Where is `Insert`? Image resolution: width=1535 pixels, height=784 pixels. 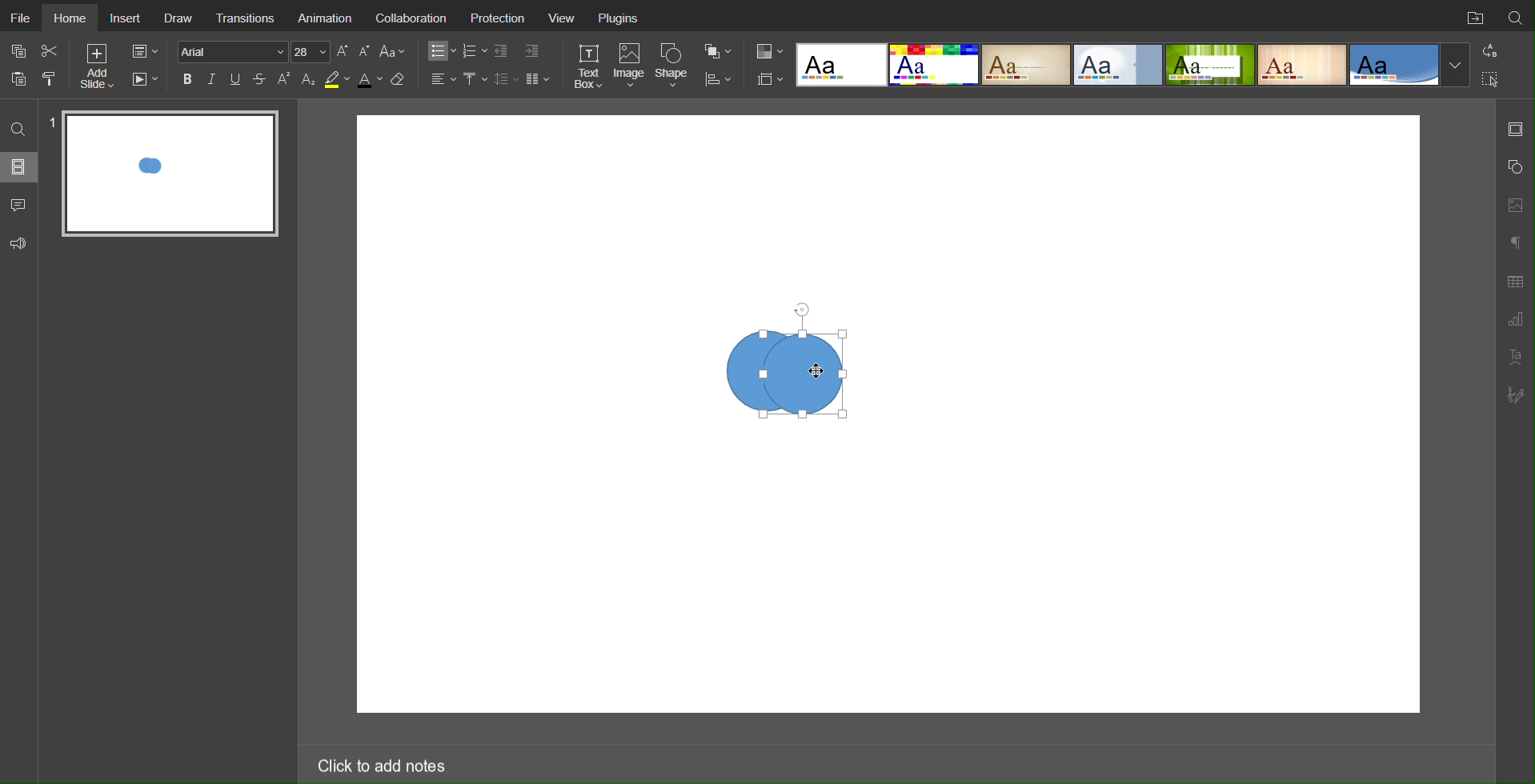
Insert is located at coordinates (128, 18).